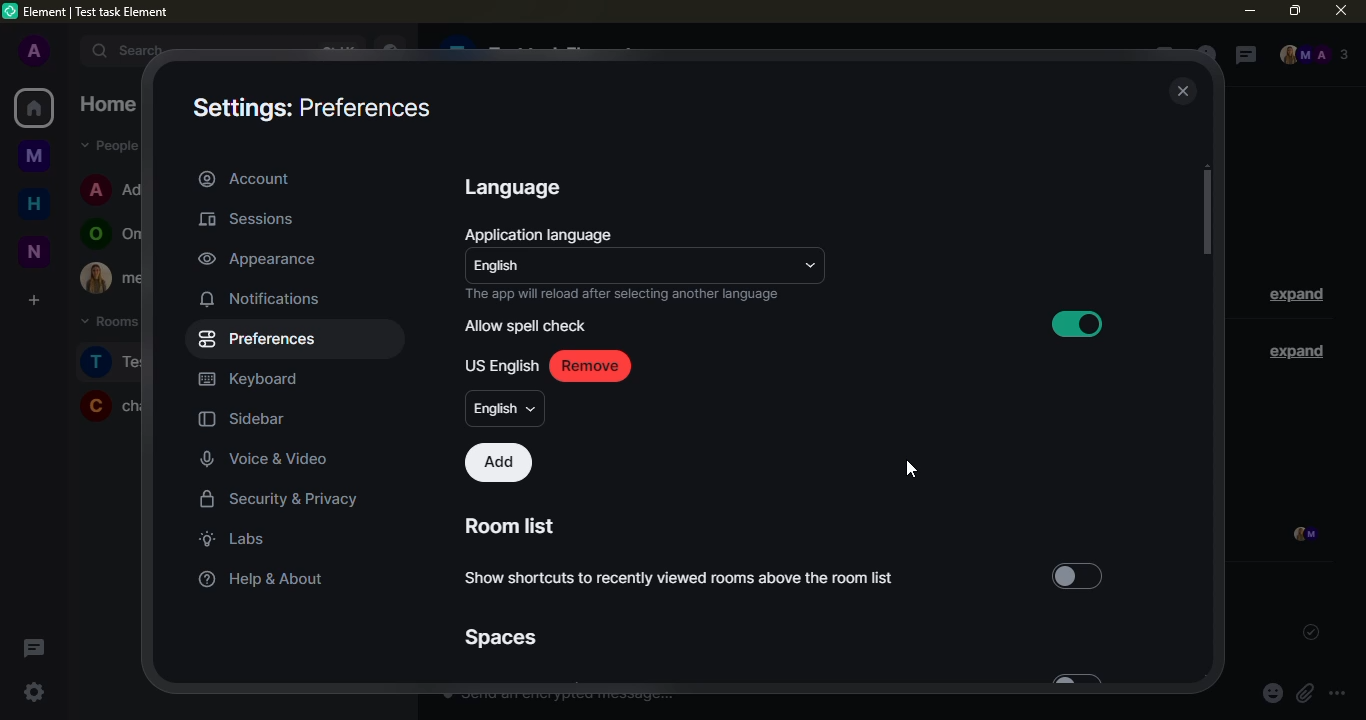  Describe the element at coordinates (1313, 56) in the screenshot. I see `people` at that location.